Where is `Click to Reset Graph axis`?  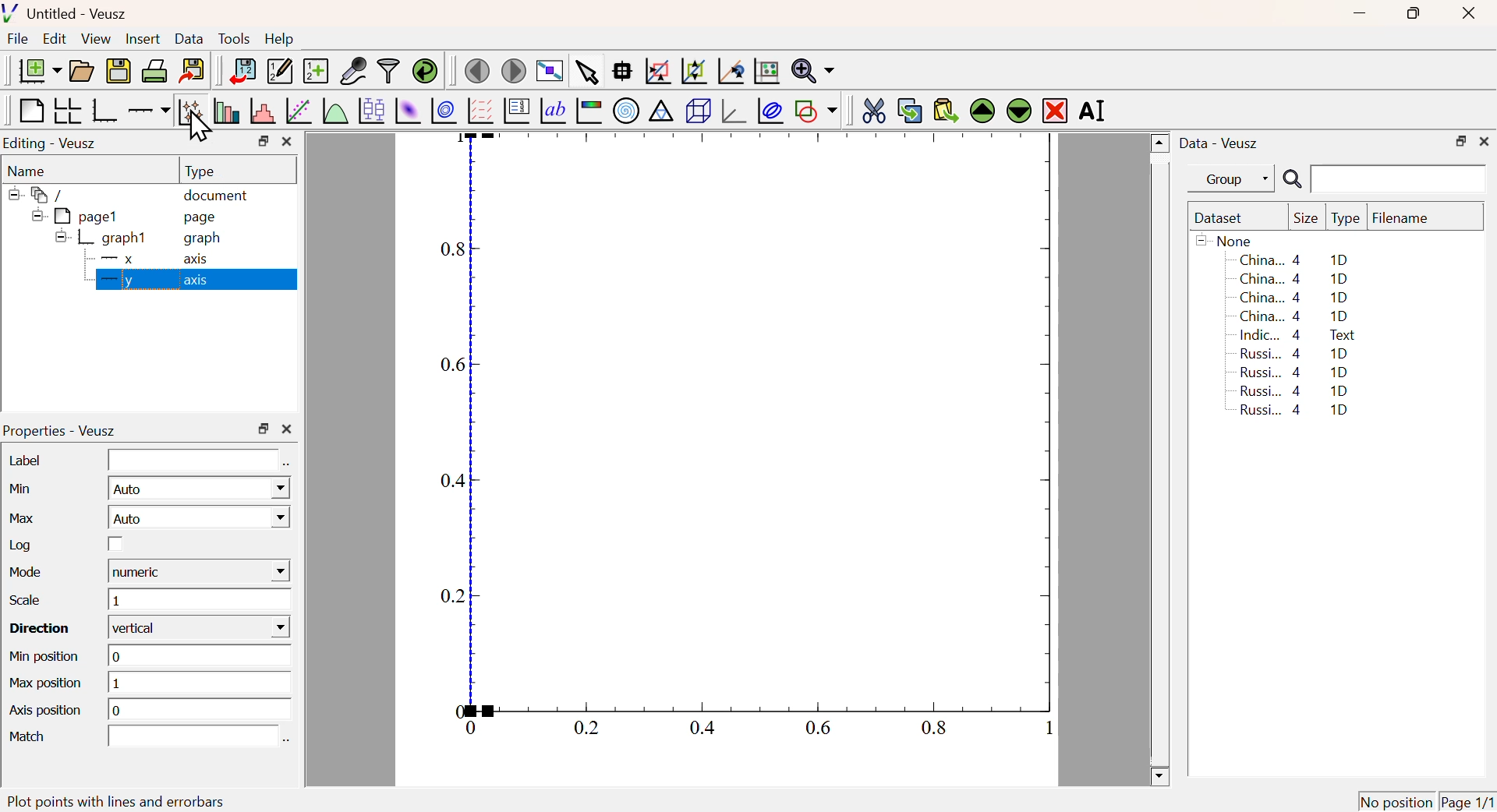 Click to Reset Graph axis is located at coordinates (766, 69).